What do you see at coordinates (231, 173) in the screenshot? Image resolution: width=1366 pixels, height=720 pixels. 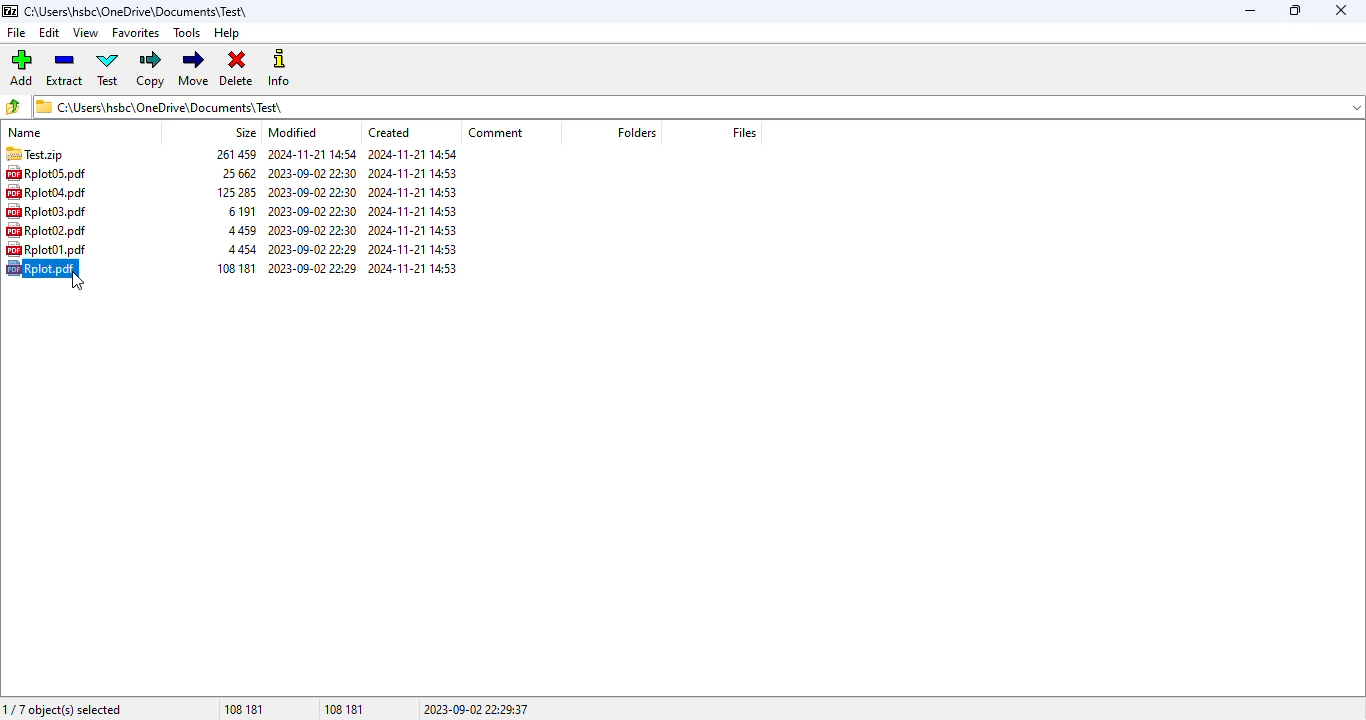 I see `25662` at bounding box center [231, 173].